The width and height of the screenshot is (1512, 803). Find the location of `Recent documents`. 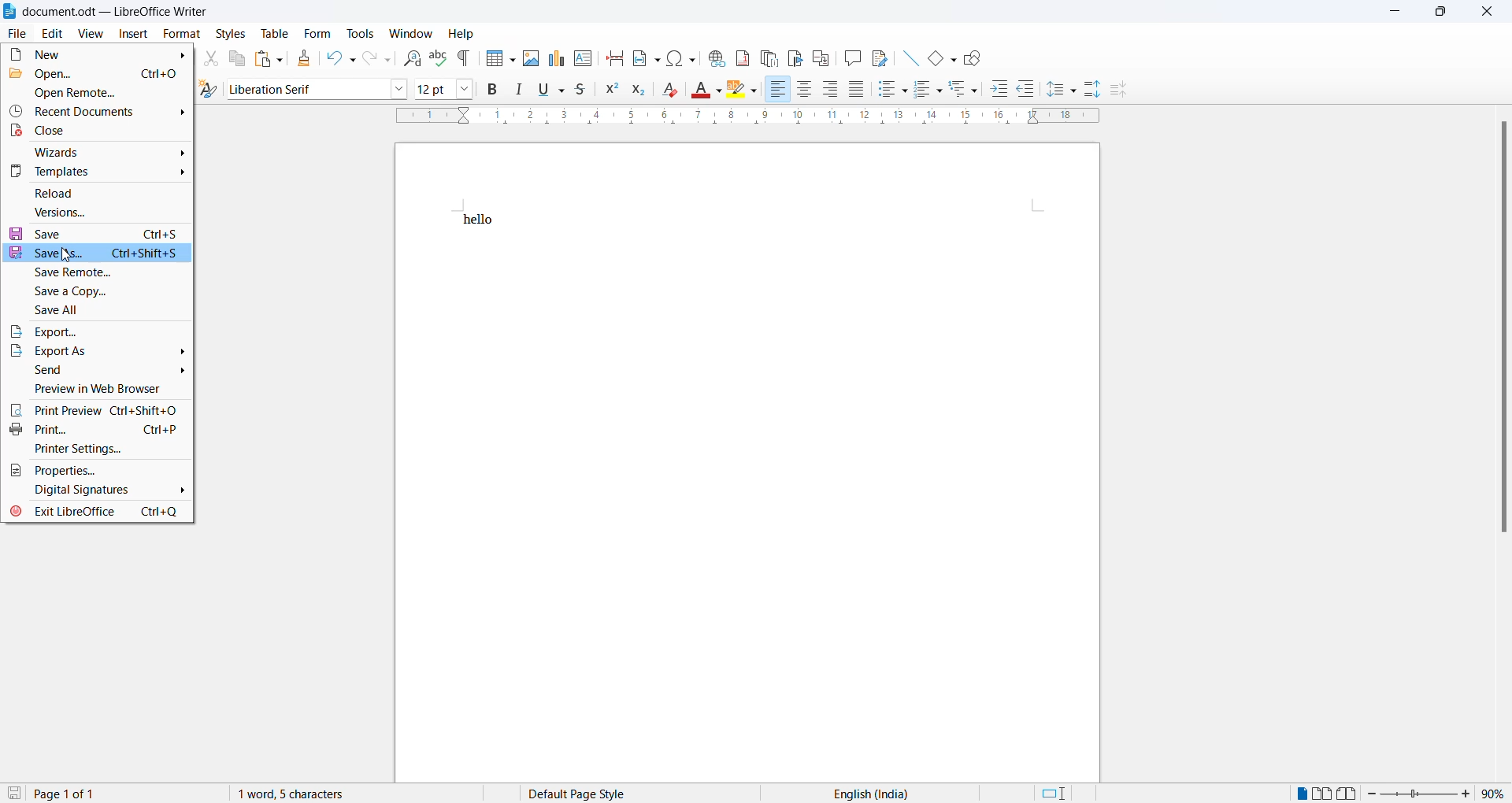

Recent documents is located at coordinates (97, 113).